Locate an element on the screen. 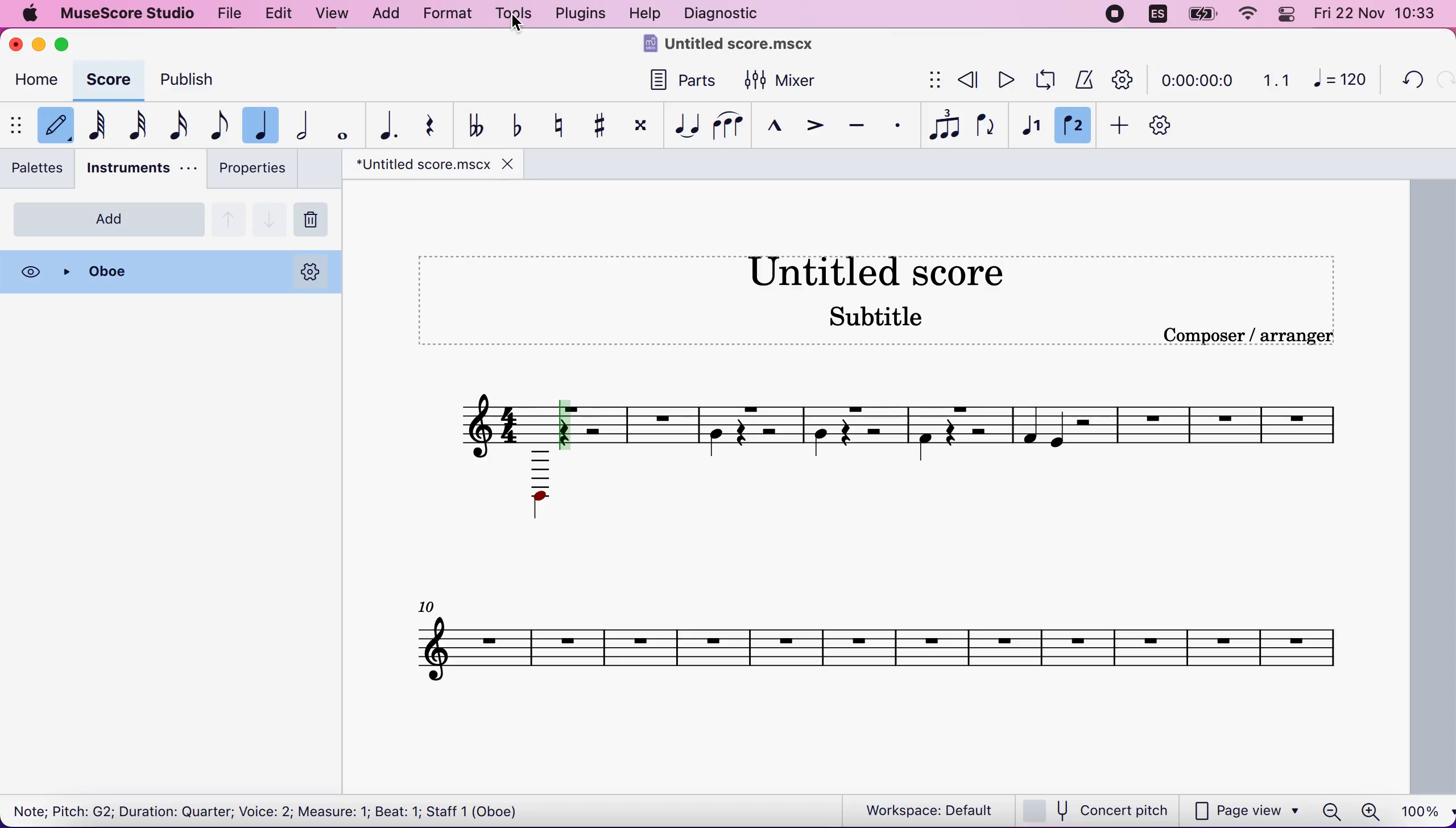 The height and width of the screenshot is (828, 1456). cursor is located at coordinates (517, 23).